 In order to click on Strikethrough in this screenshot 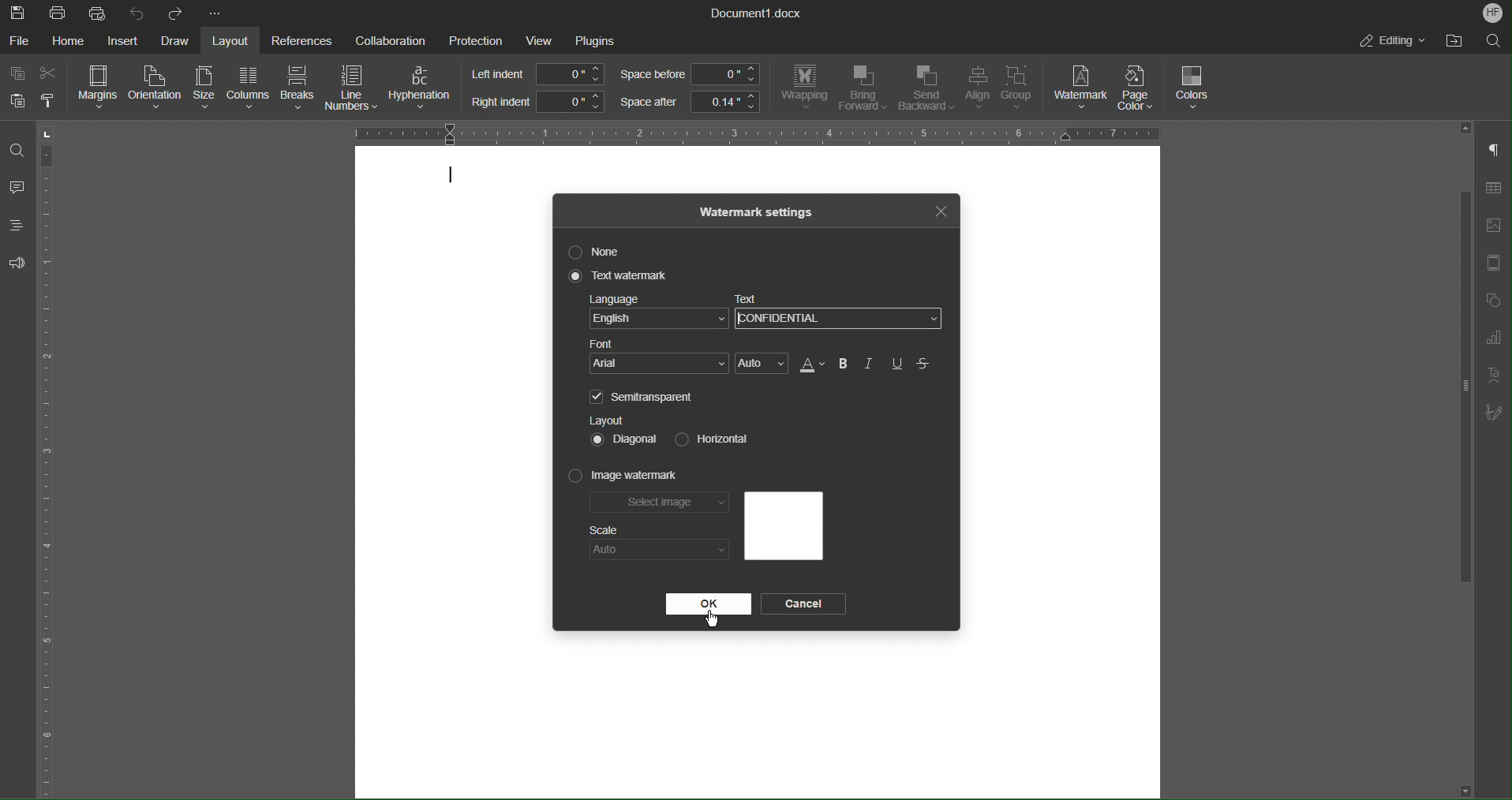, I will do `click(925, 364)`.